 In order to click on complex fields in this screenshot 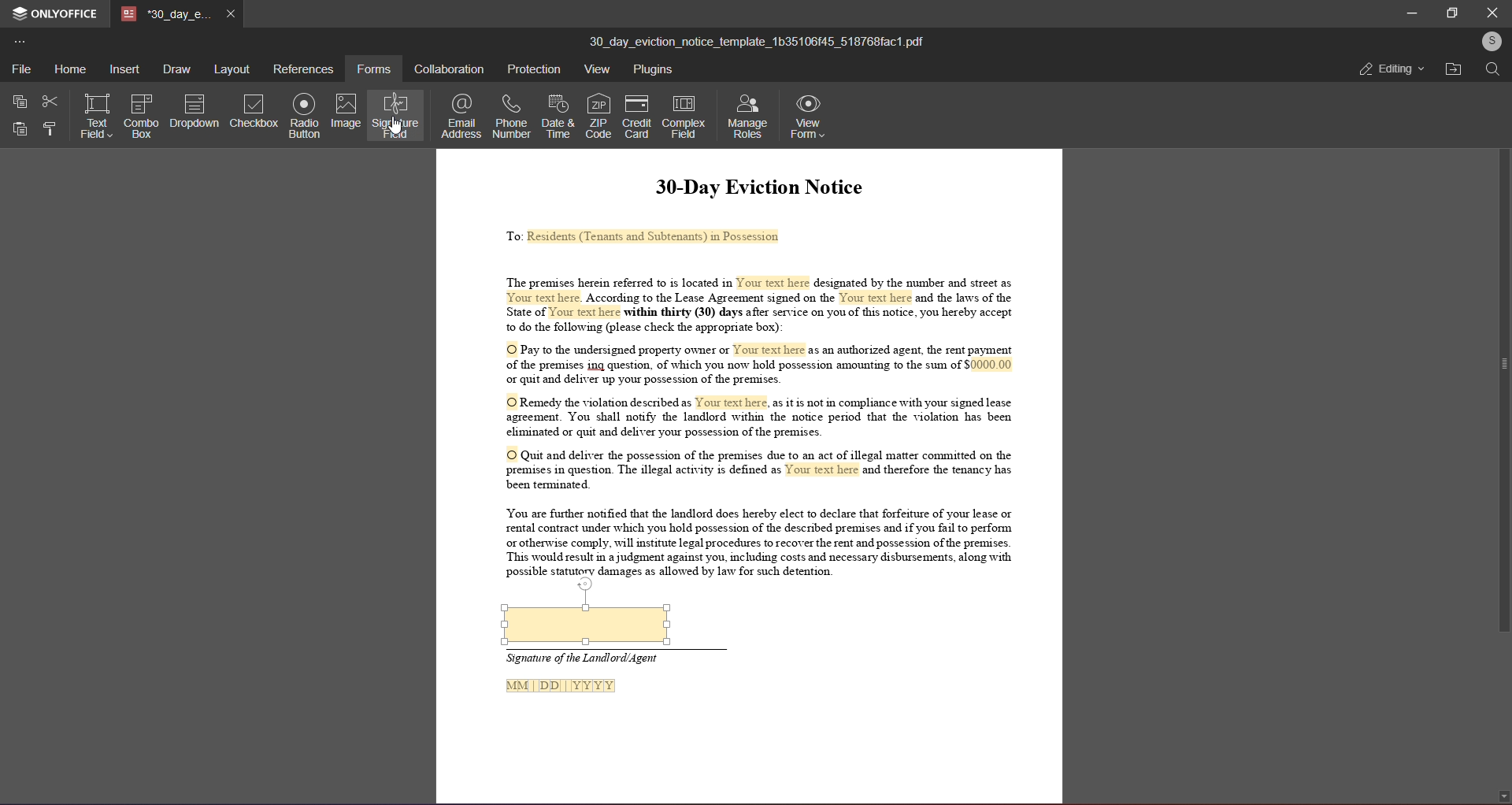, I will do `click(685, 117)`.